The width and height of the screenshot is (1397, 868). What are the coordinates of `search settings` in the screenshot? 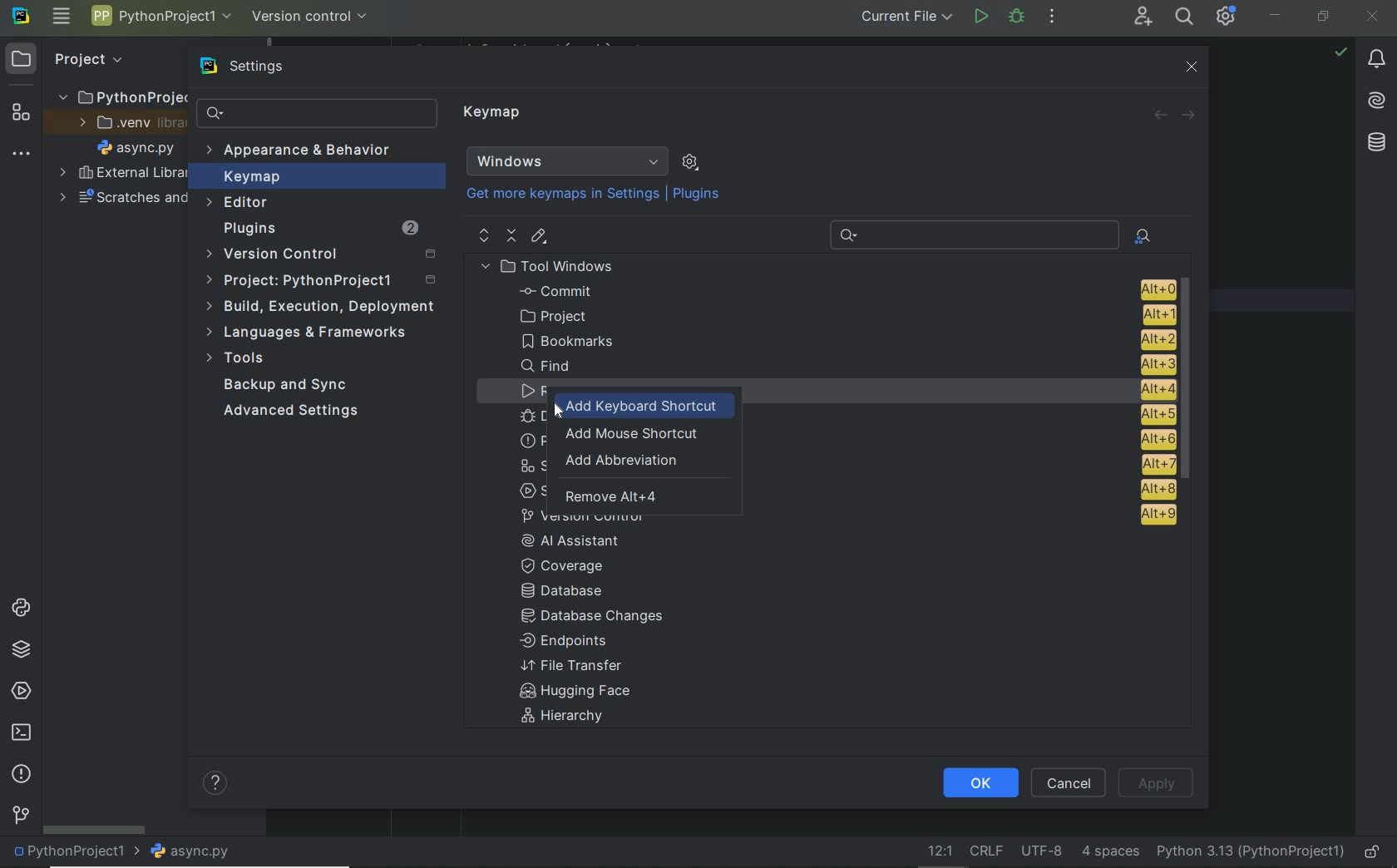 It's located at (317, 113).